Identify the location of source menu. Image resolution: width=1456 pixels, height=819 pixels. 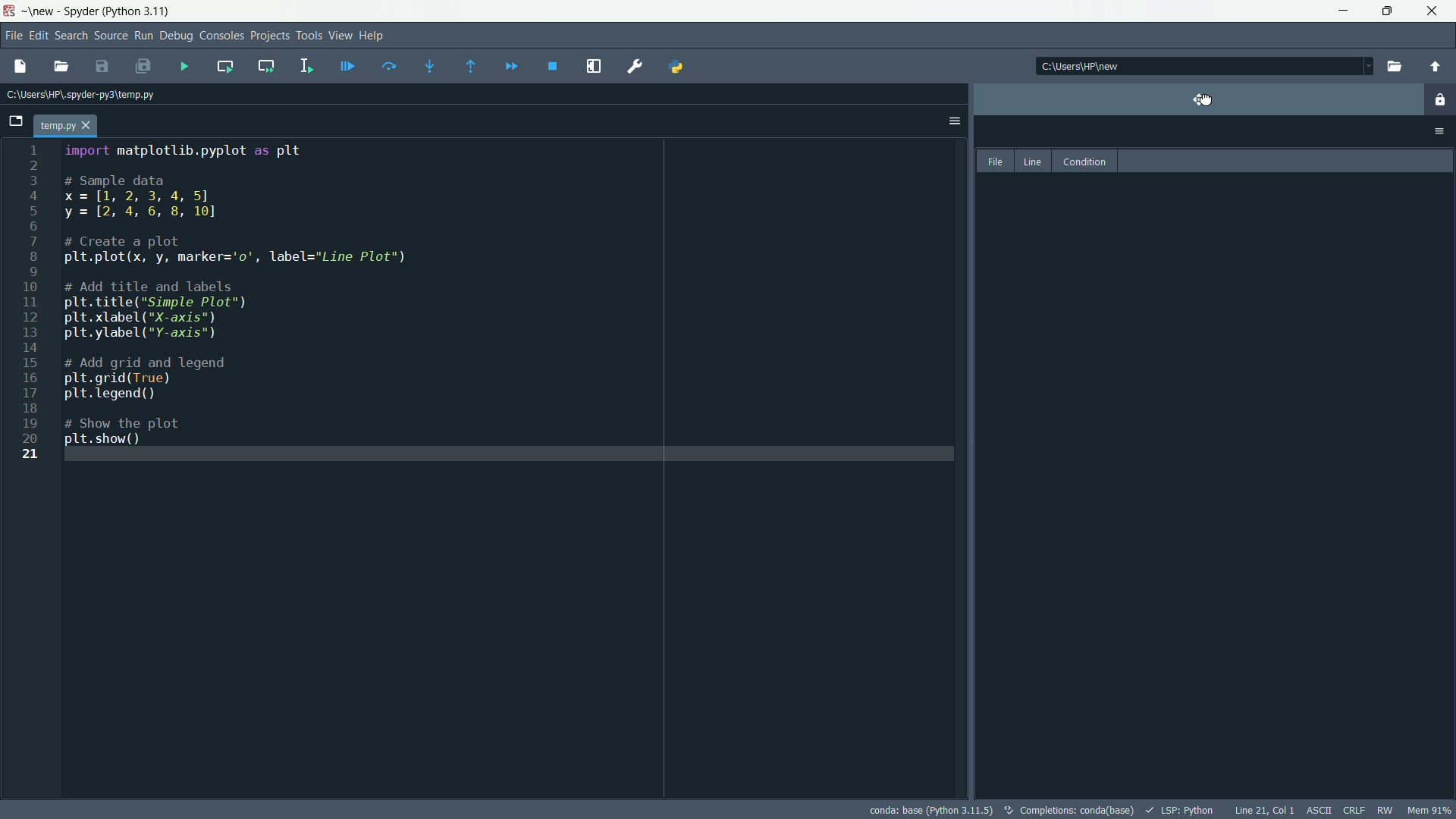
(109, 36).